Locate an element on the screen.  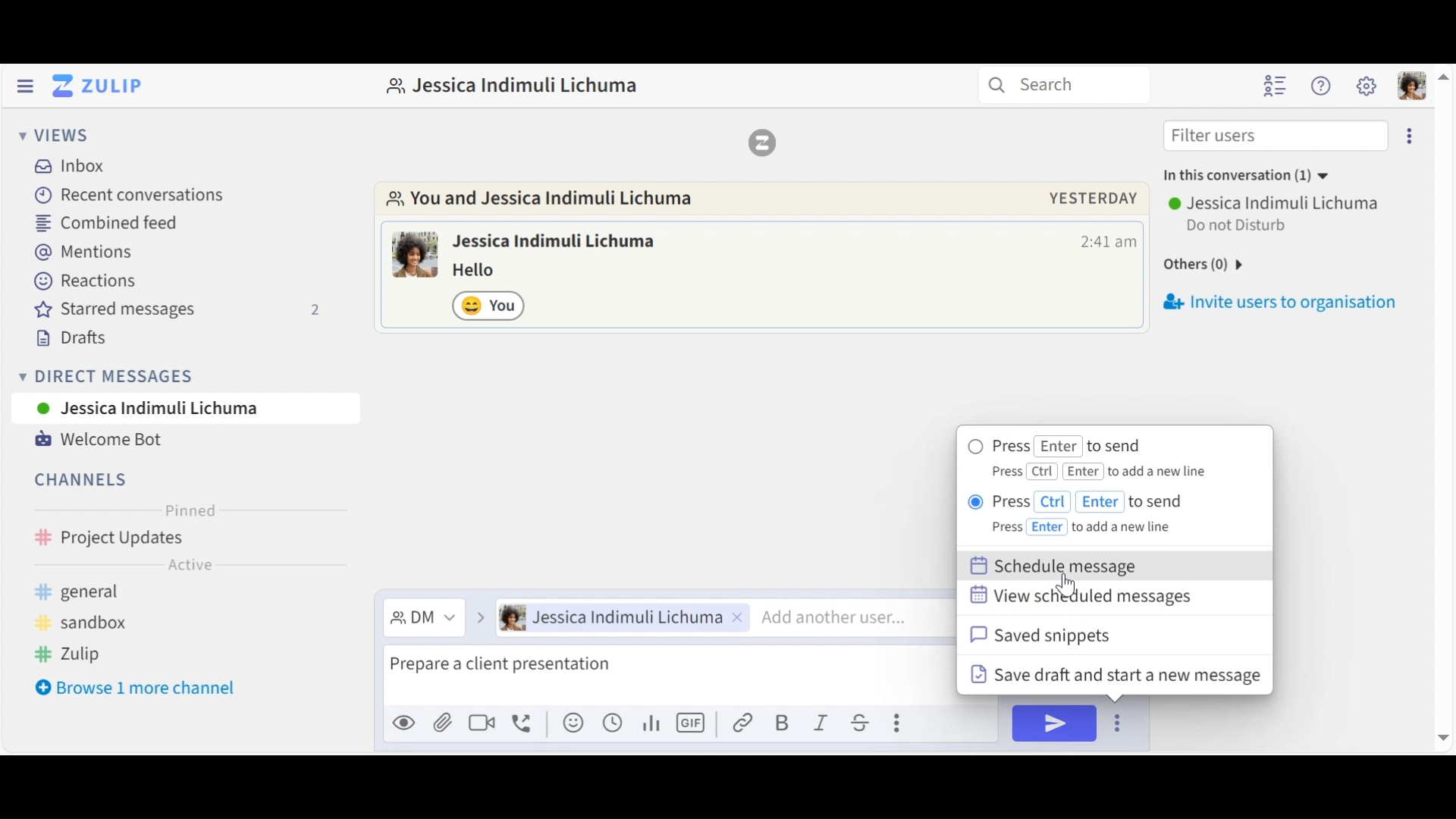
Recent conversations is located at coordinates (133, 196).